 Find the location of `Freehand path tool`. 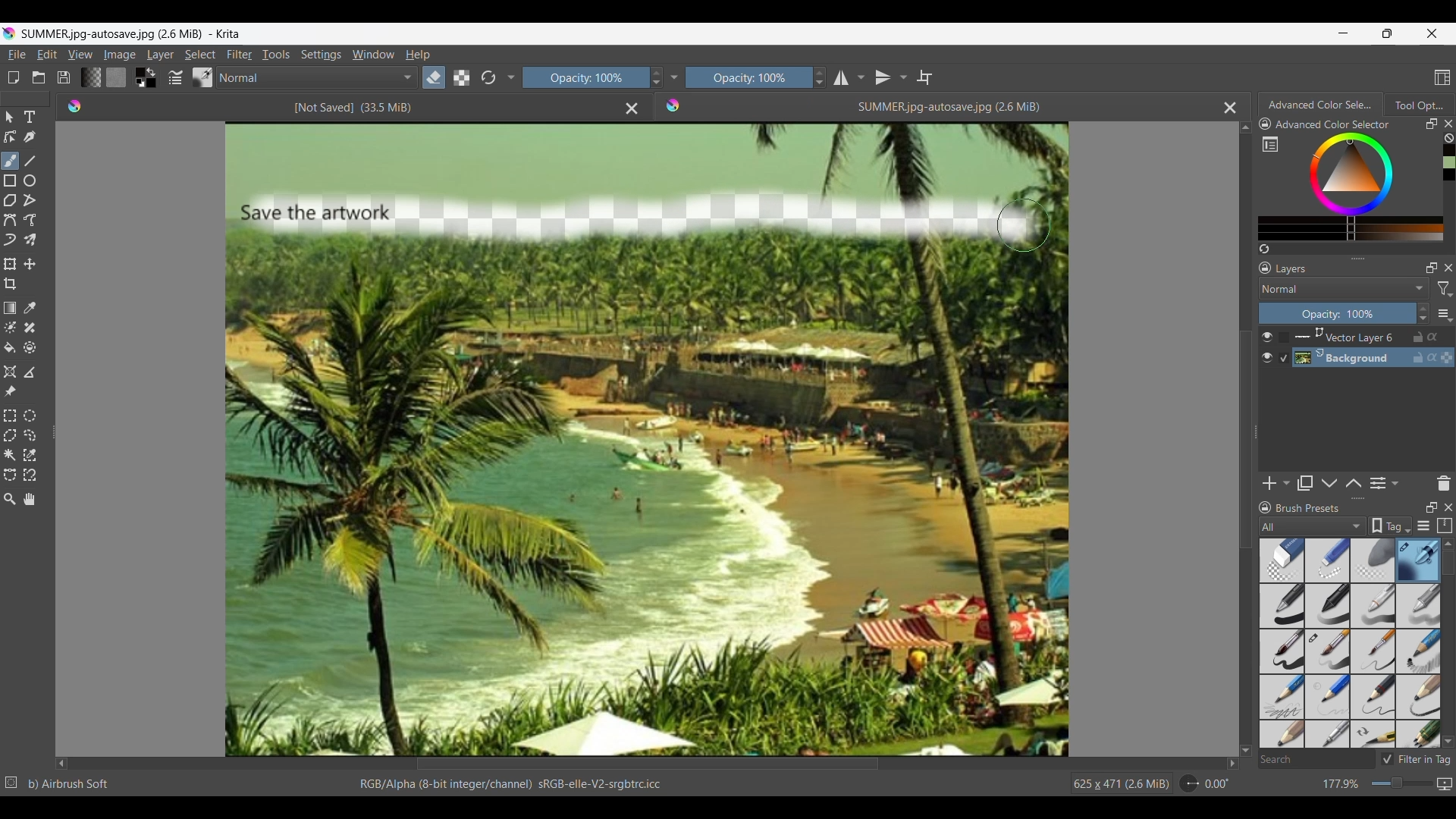

Freehand path tool is located at coordinates (30, 219).